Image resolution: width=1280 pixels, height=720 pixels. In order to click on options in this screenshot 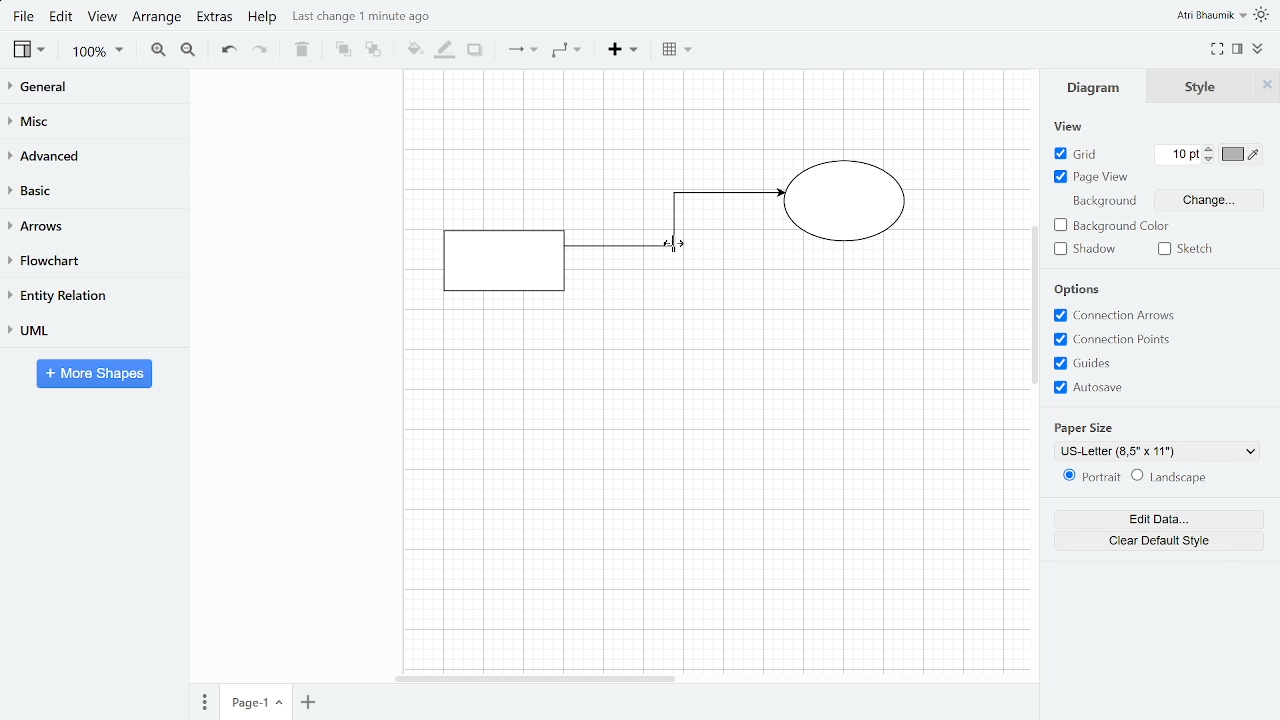, I will do `click(1078, 290)`.